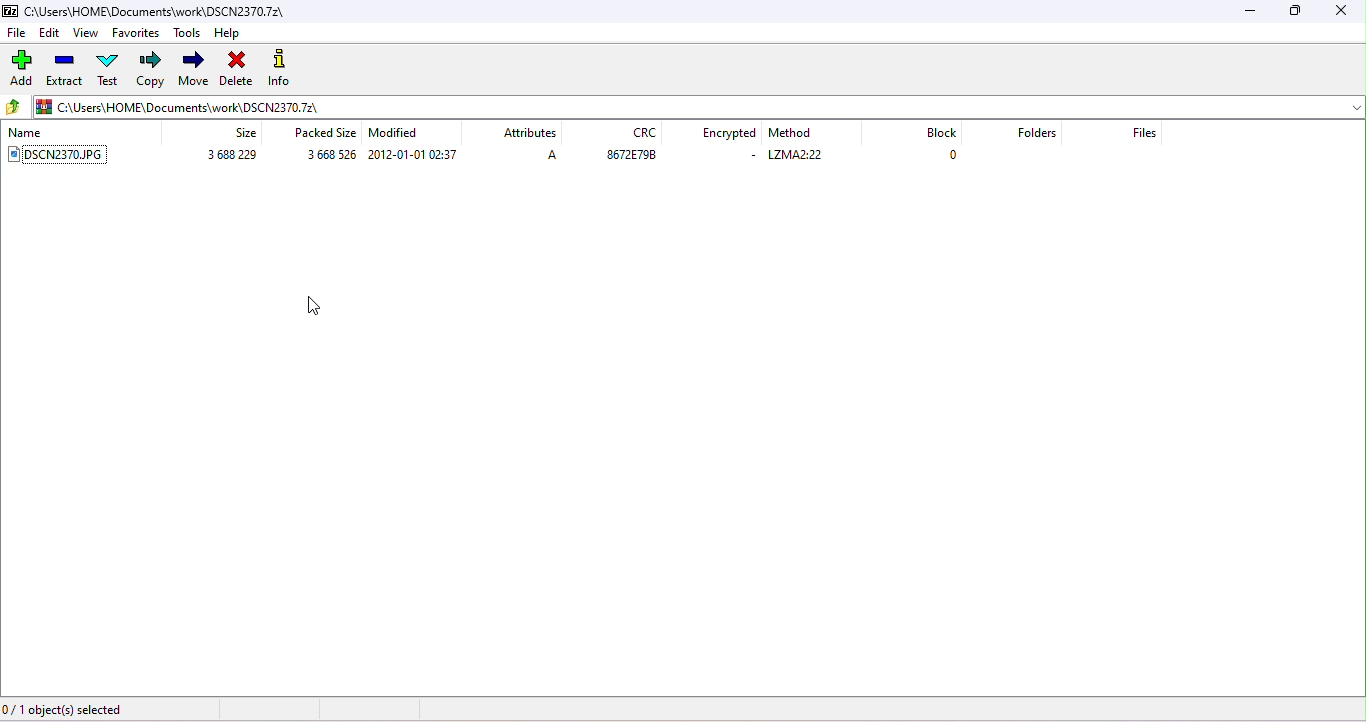  Describe the element at coordinates (732, 135) in the screenshot. I see `encrypted` at that location.